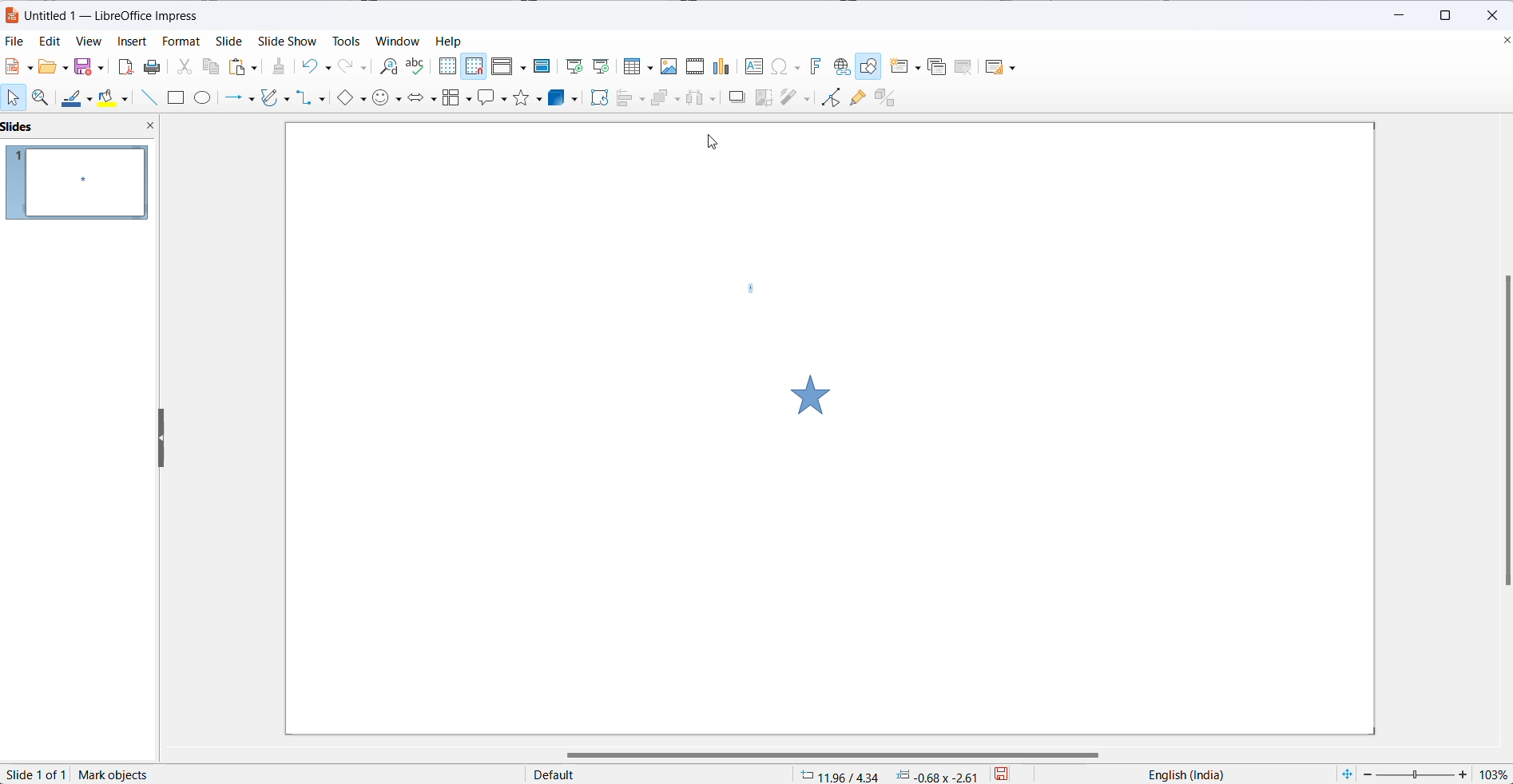 This screenshot has width=1513, height=784. What do you see at coordinates (321, 65) in the screenshot?
I see `undo` at bounding box center [321, 65].